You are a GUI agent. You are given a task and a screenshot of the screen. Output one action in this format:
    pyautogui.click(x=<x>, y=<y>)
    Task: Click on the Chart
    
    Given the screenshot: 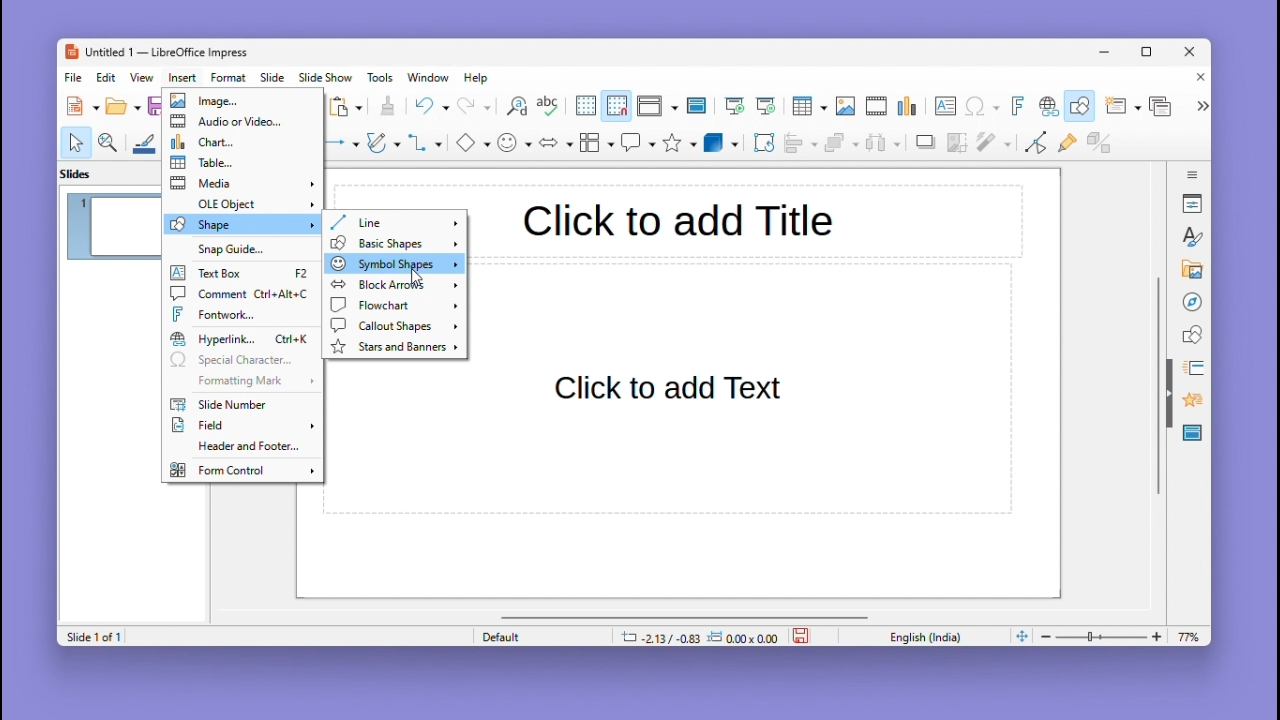 What is the action you would take?
    pyautogui.click(x=909, y=107)
    